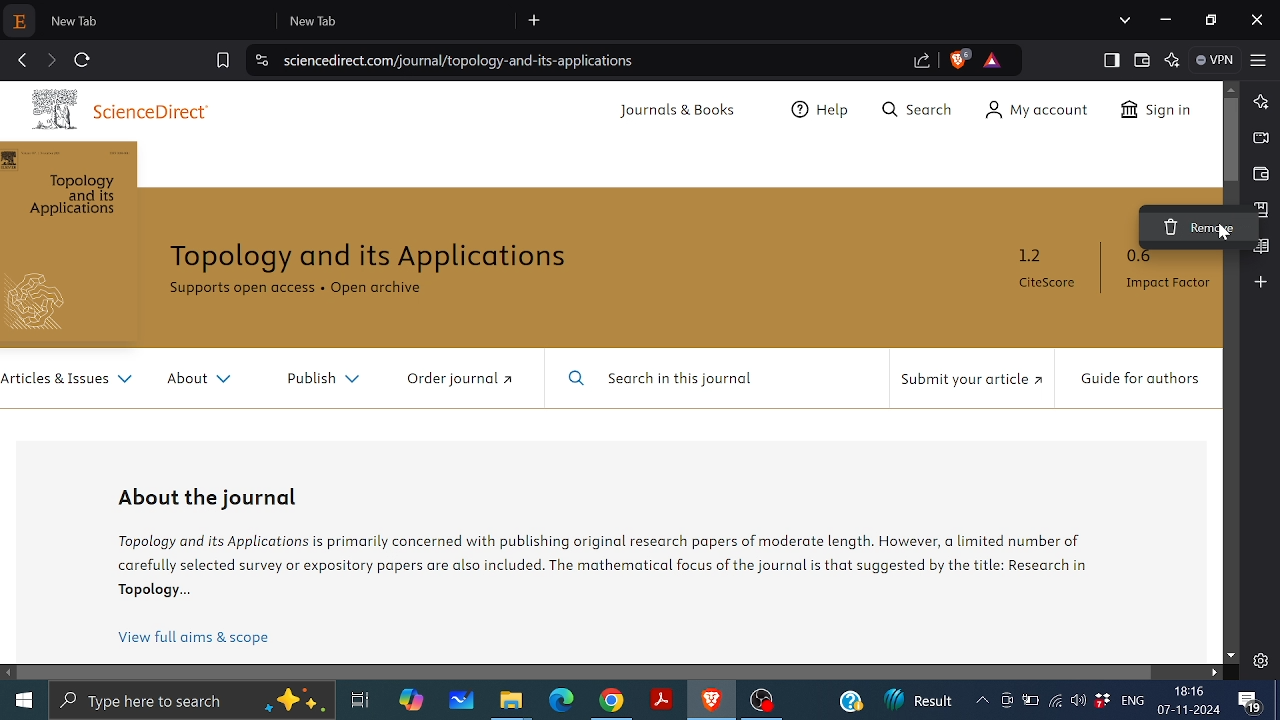  What do you see at coordinates (1215, 672) in the screenshot?
I see `Move right` at bounding box center [1215, 672].